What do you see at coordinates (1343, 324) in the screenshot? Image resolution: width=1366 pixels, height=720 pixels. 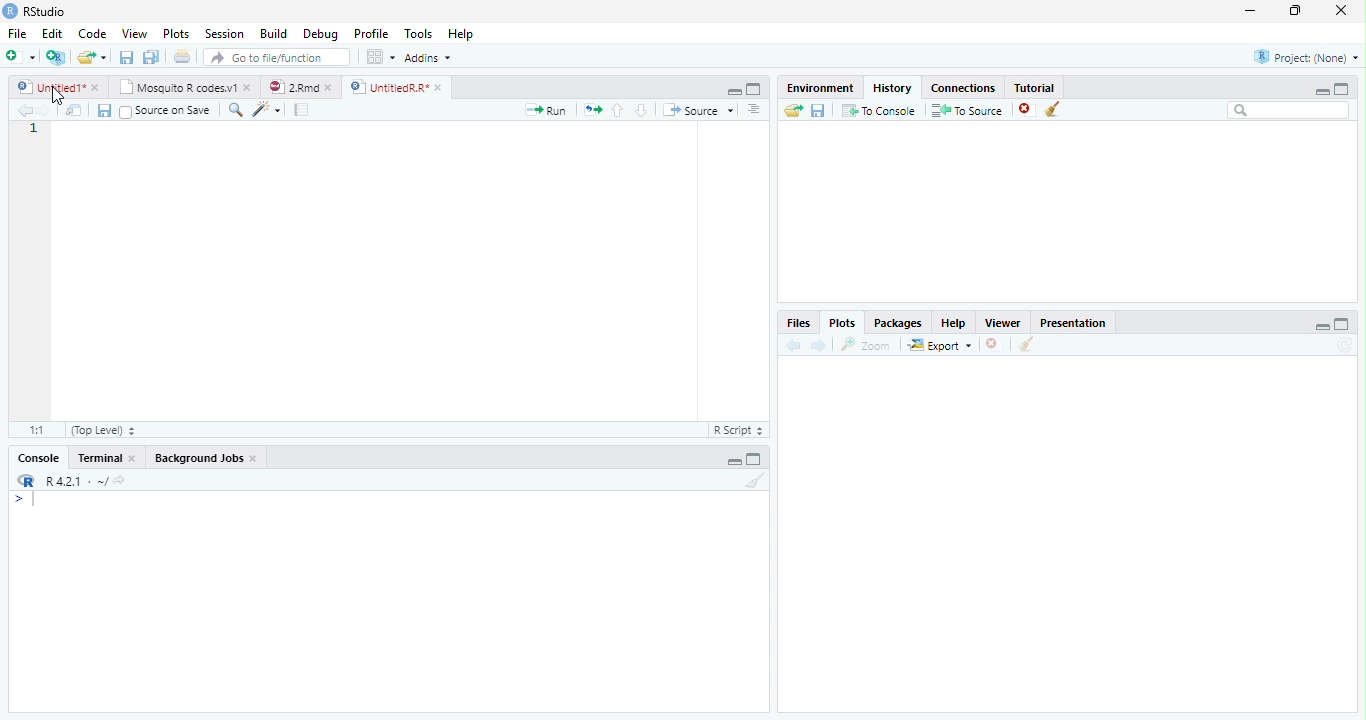 I see `maximize` at bounding box center [1343, 324].